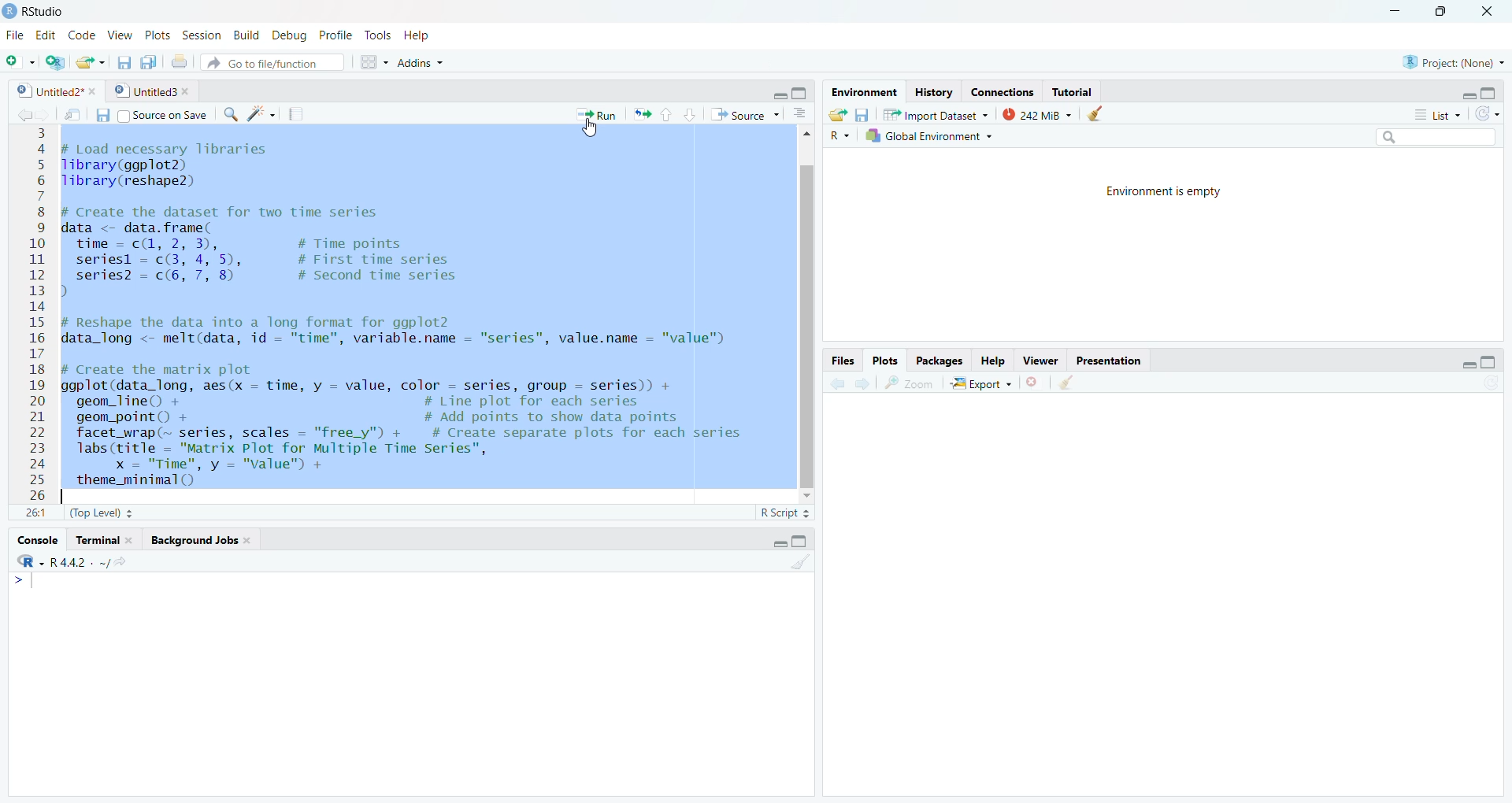 This screenshot has height=803, width=1512. I want to click on 3 4 5 6 7 8 9 10 11 12 13 14 15 16 17 18 19 20 21 22 23 24 25 26, so click(38, 313).